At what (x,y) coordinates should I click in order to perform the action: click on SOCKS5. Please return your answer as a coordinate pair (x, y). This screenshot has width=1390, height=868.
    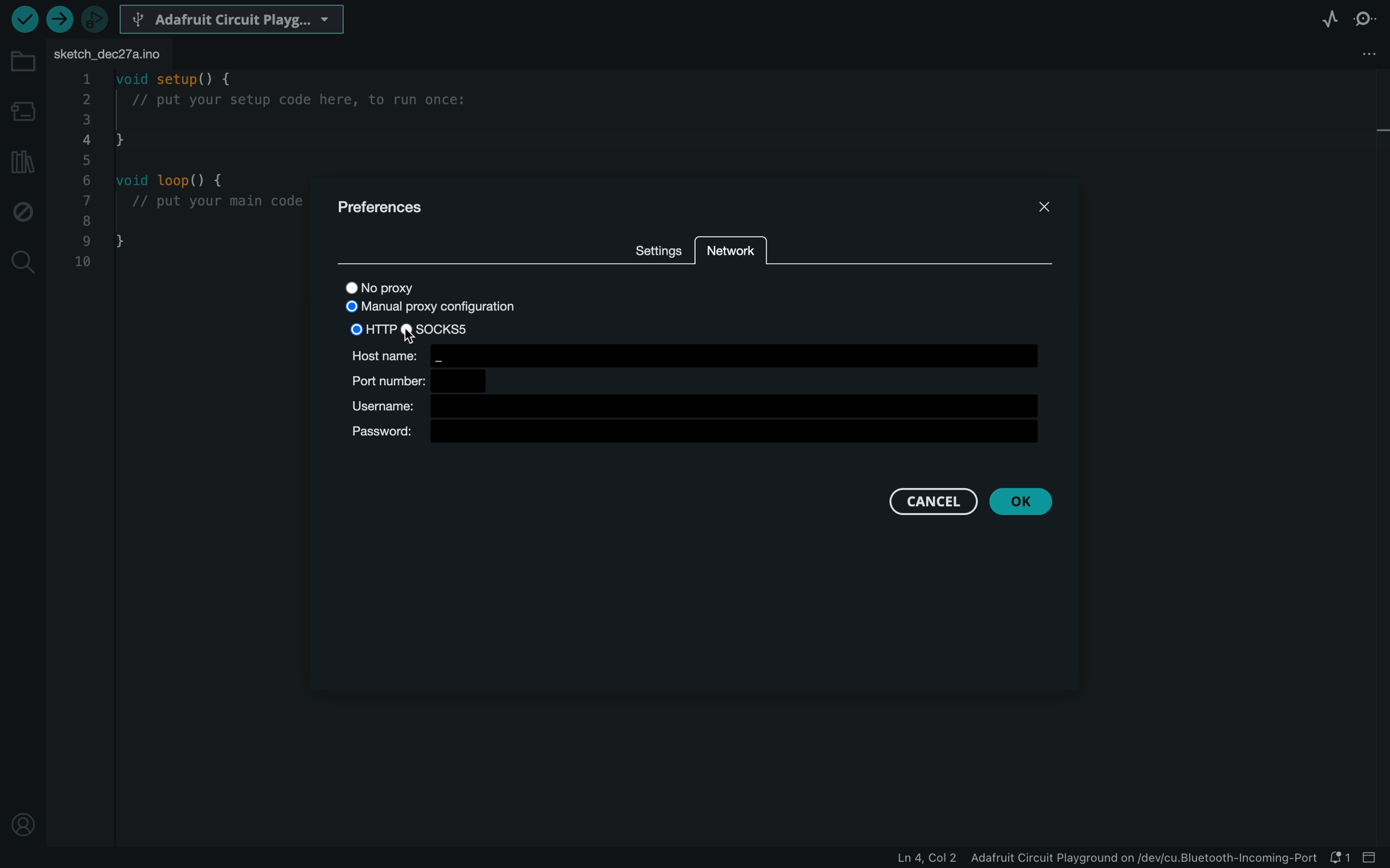
    Looking at the image, I should click on (443, 329).